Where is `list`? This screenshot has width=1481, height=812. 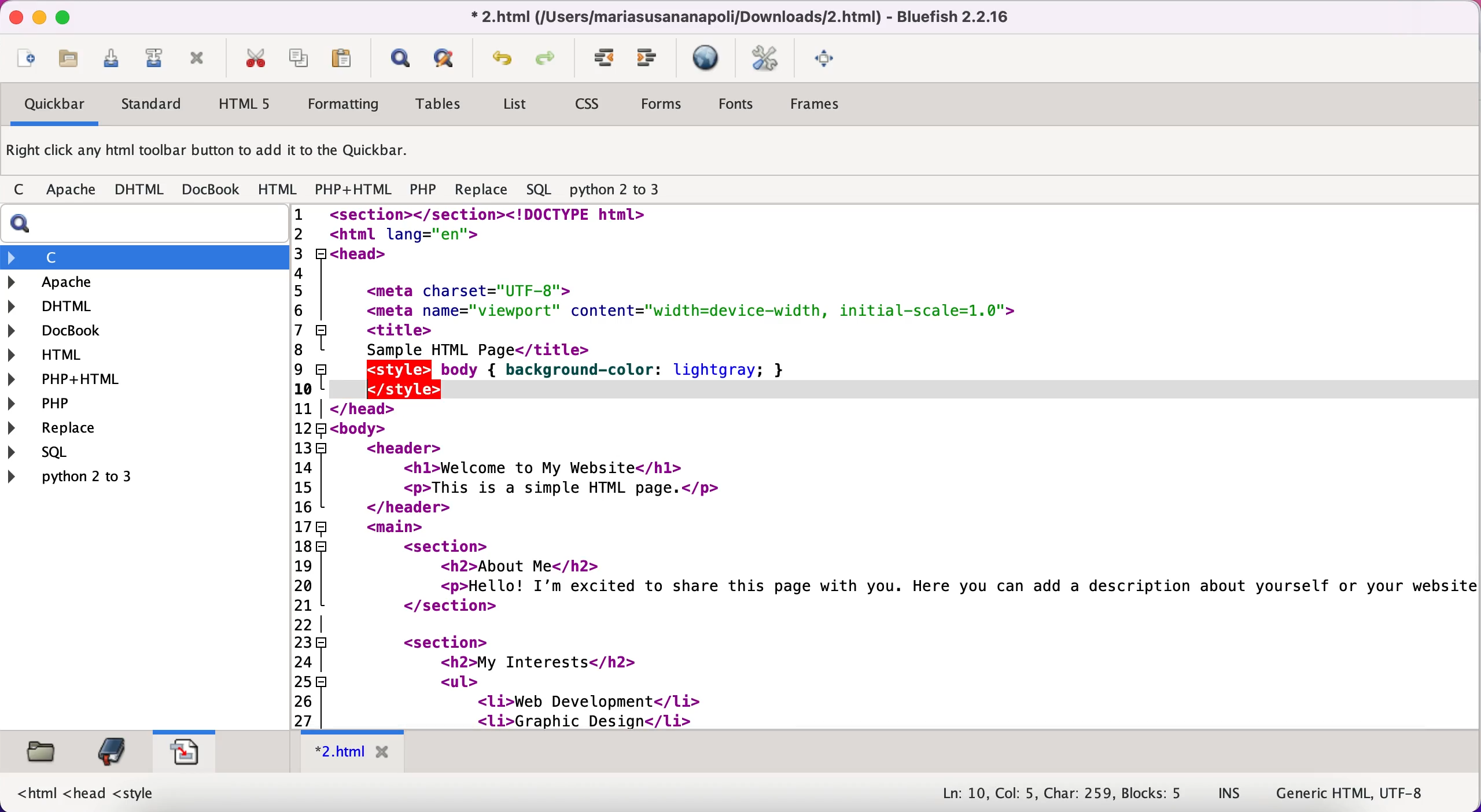
list is located at coordinates (514, 106).